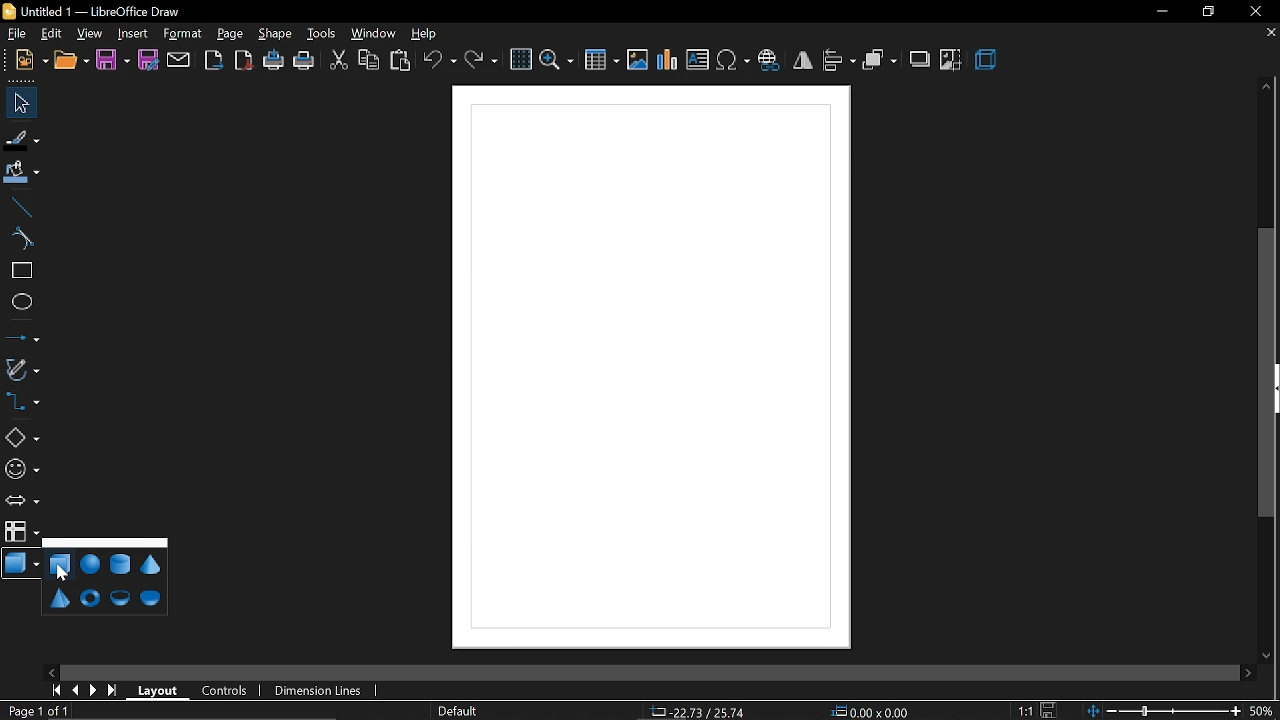 The image size is (1280, 720). I want to click on shell, so click(120, 600).